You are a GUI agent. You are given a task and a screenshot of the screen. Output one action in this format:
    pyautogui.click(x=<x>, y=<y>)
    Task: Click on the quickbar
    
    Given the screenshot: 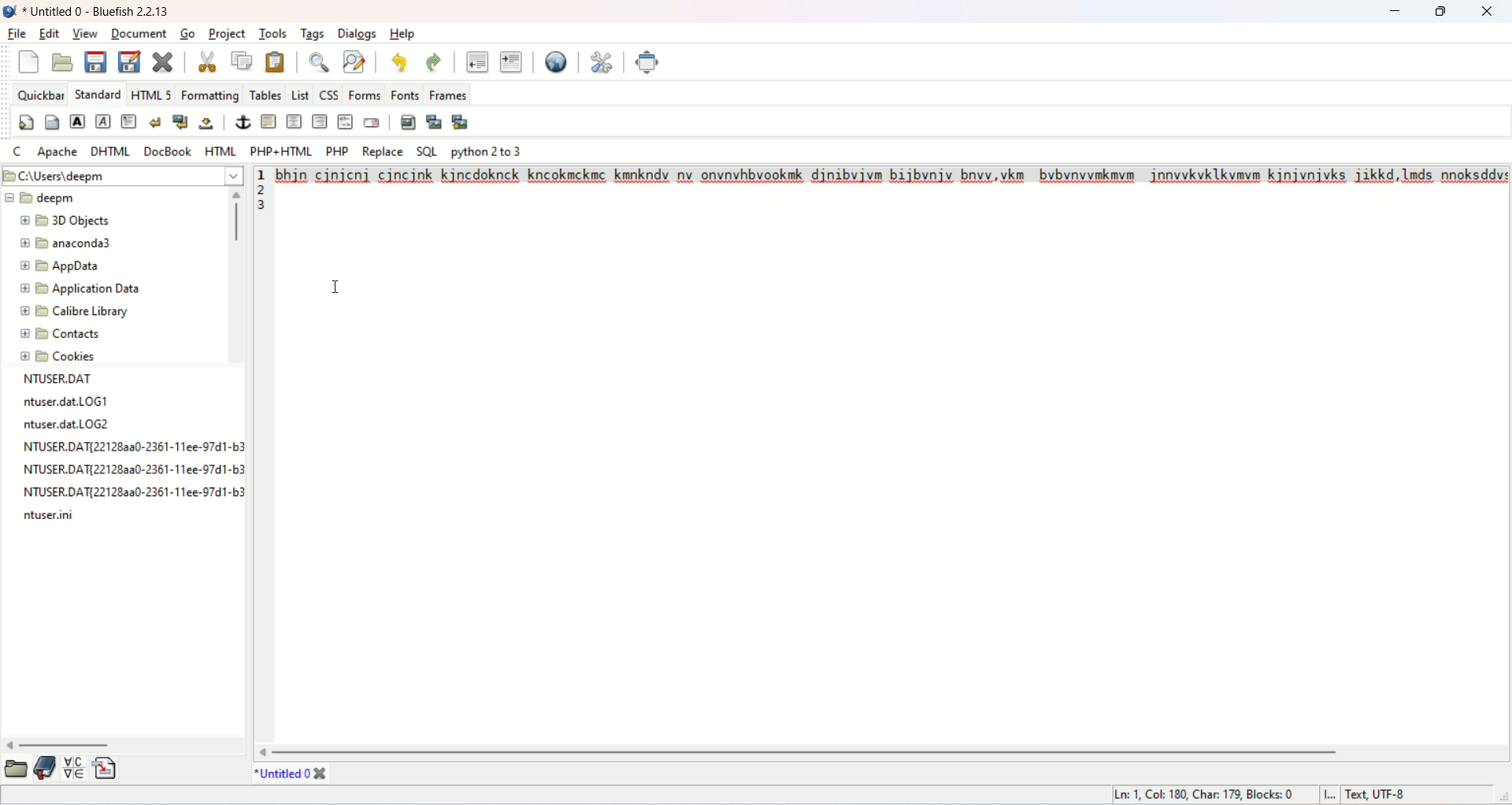 What is the action you would take?
    pyautogui.click(x=40, y=95)
    